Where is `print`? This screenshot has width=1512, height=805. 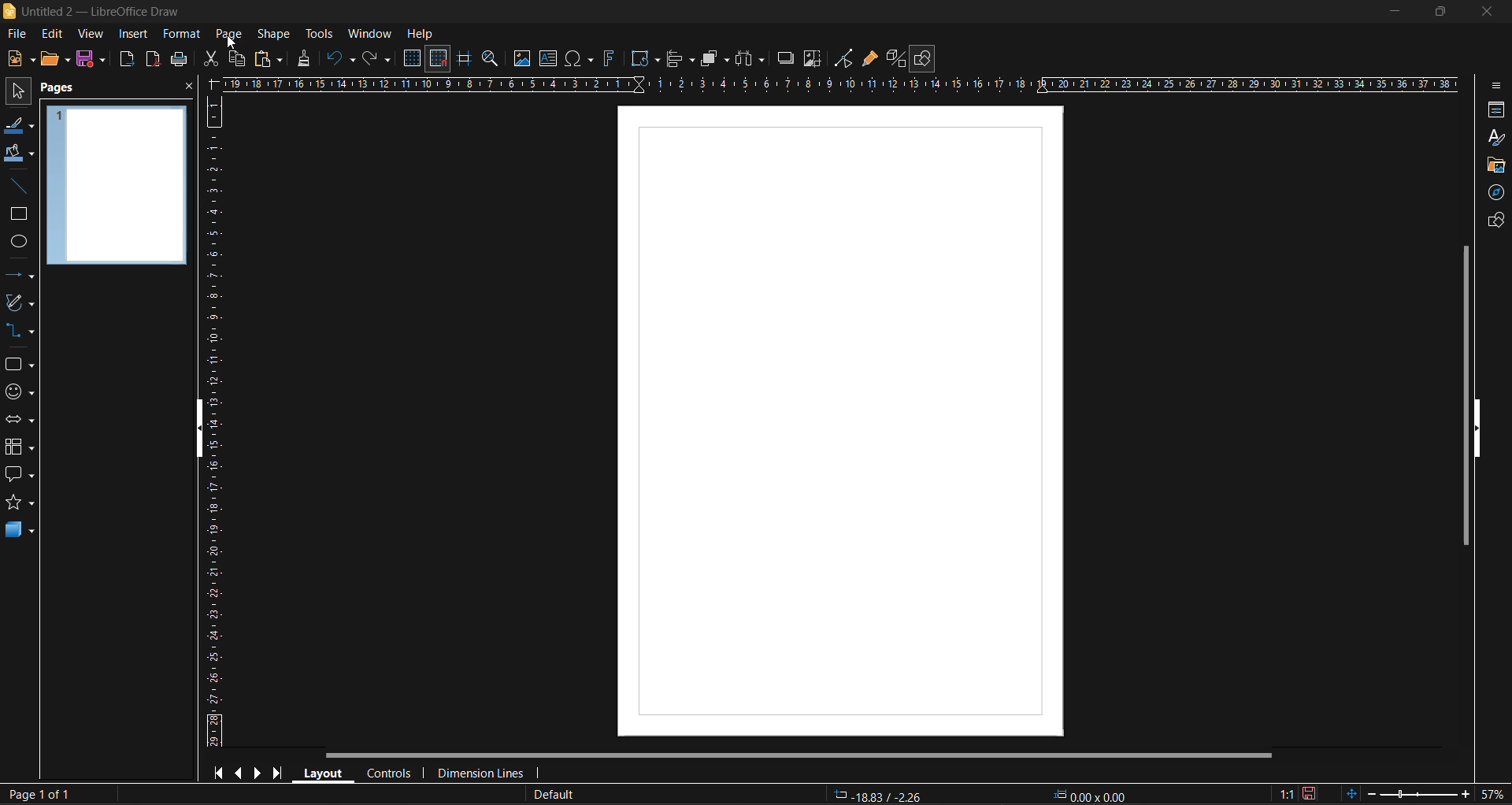 print is located at coordinates (180, 60).